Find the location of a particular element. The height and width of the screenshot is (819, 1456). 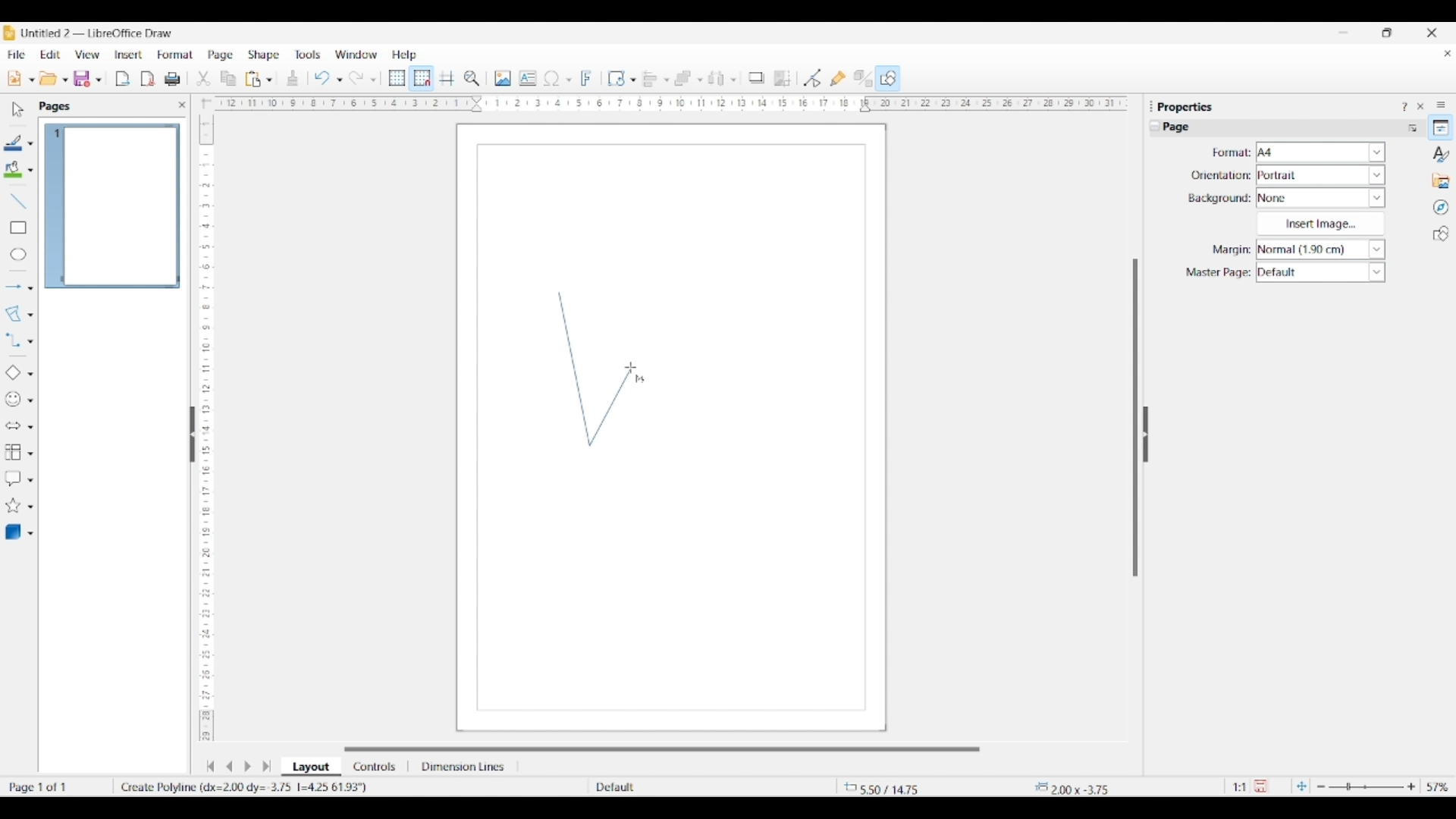

Indicates master page settings is located at coordinates (1217, 273).